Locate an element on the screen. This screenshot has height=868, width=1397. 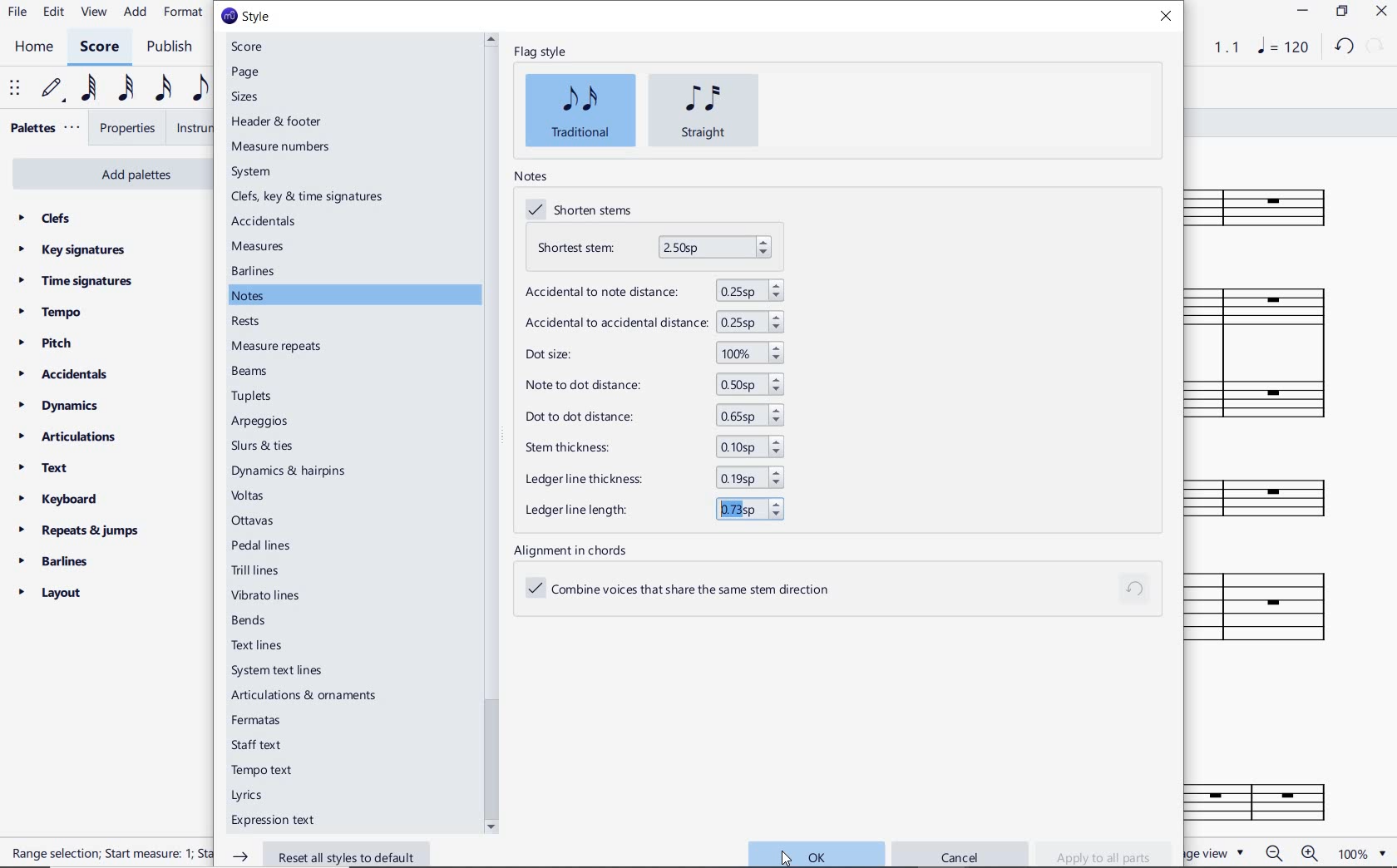
lyrics is located at coordinates (252, 796).